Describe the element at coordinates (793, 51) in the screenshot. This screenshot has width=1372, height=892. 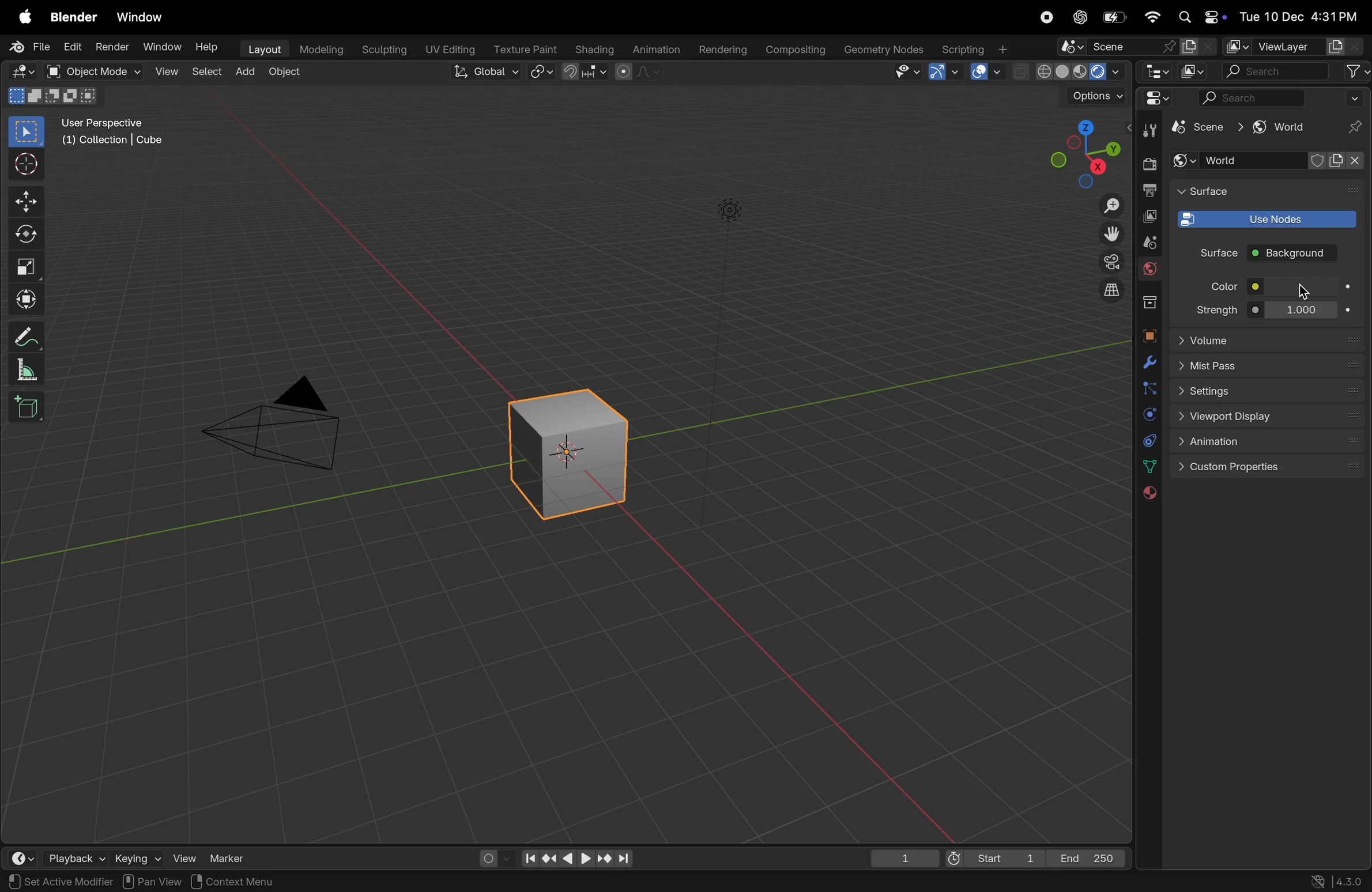
I see `Composting` at that location.